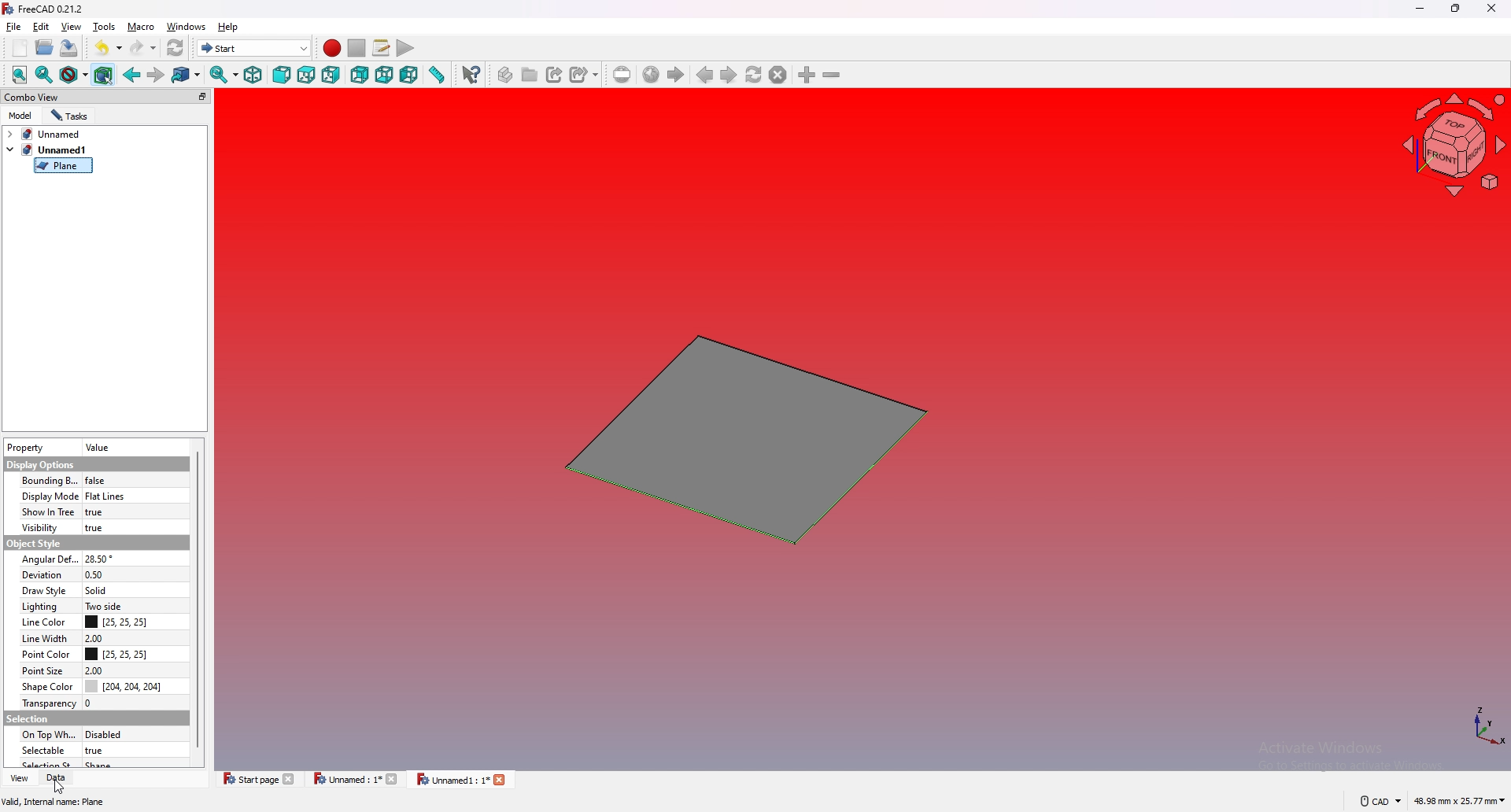 Image resolution: width=1511 pixels, height=812 pixels. I want to click on model, so click(21, 116).